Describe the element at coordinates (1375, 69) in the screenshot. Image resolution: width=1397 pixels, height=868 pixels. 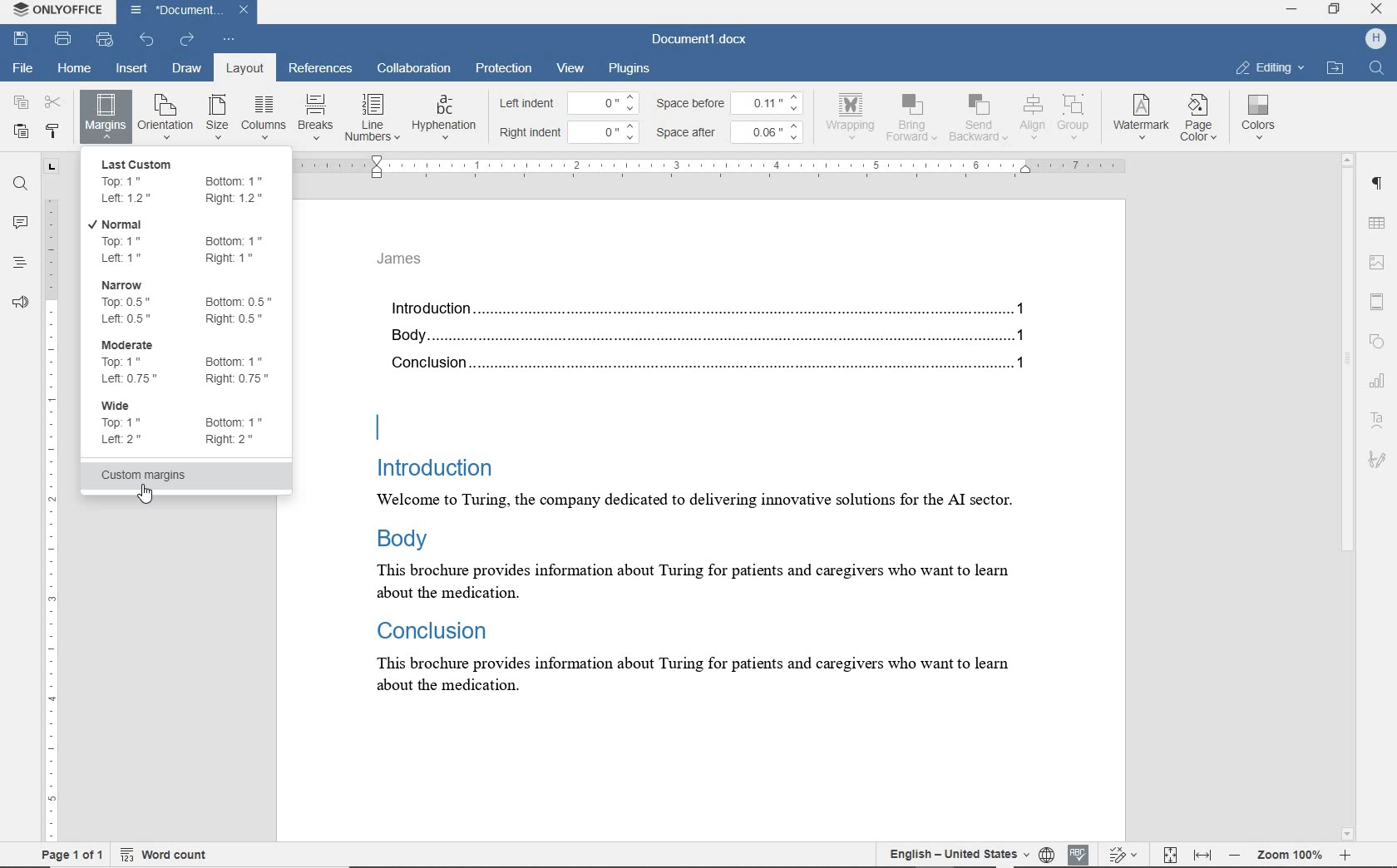
I see `find` at that location.